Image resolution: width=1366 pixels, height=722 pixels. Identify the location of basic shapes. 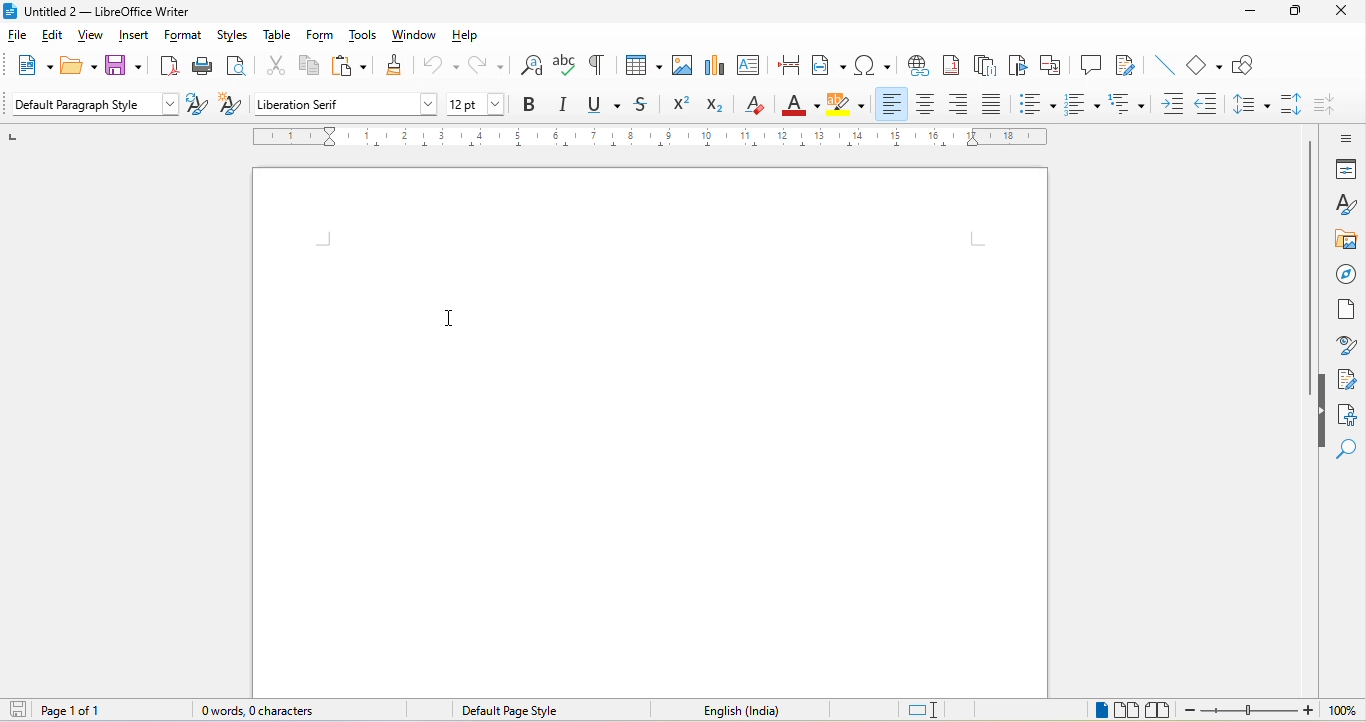
(1201, 65).